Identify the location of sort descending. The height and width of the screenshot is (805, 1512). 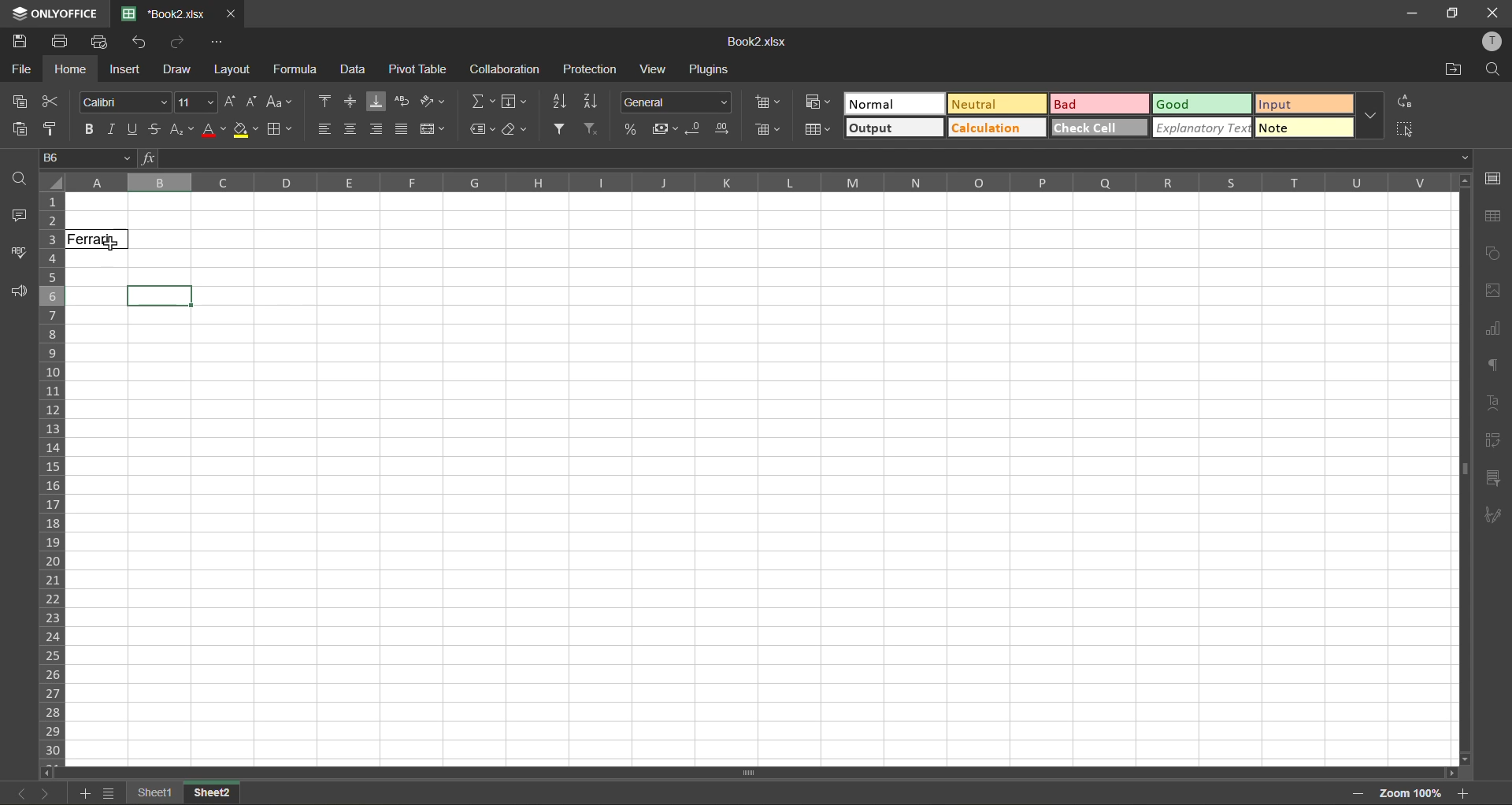
(595, 102).